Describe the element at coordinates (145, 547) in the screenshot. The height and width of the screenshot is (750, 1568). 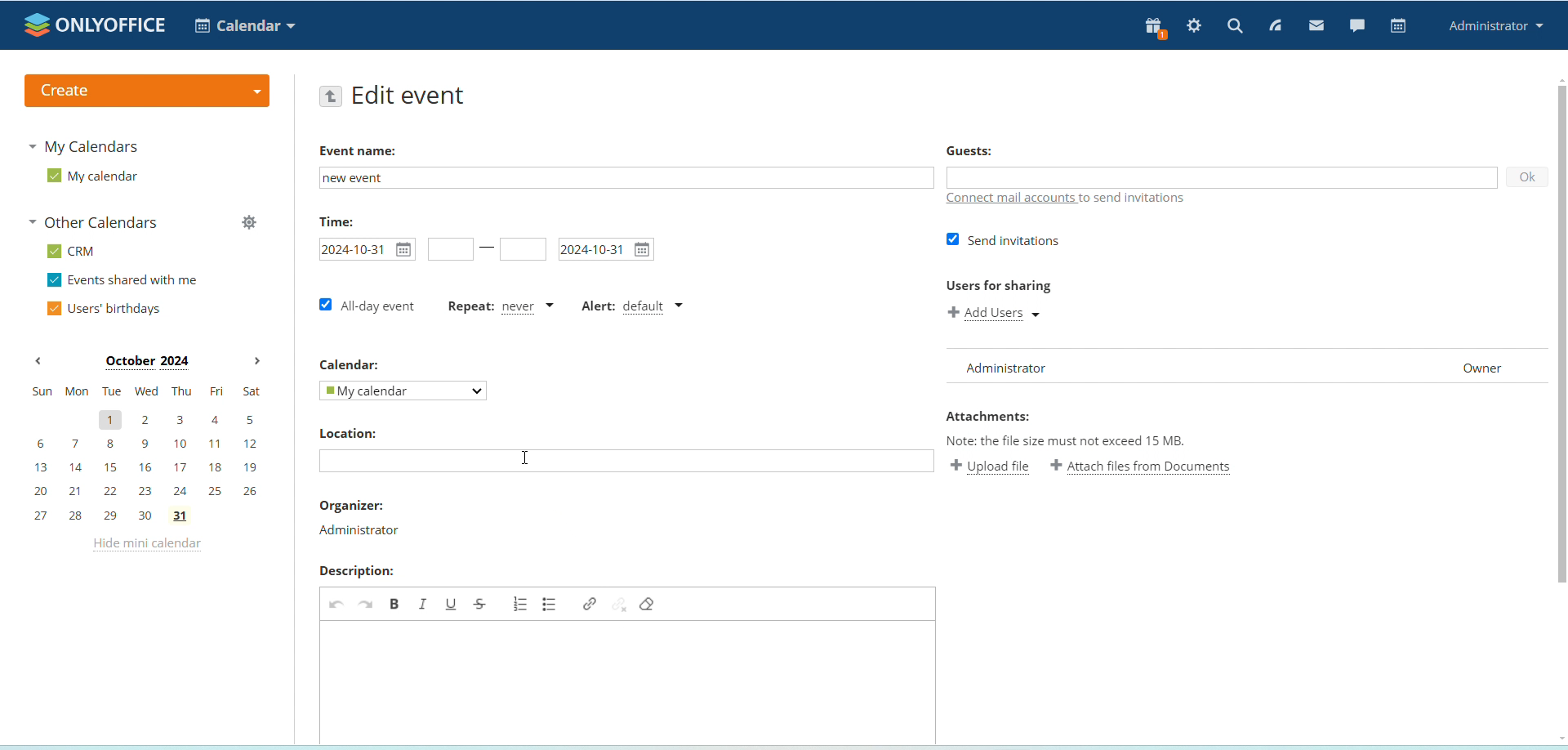
I see `hide mini calendar` at that location.